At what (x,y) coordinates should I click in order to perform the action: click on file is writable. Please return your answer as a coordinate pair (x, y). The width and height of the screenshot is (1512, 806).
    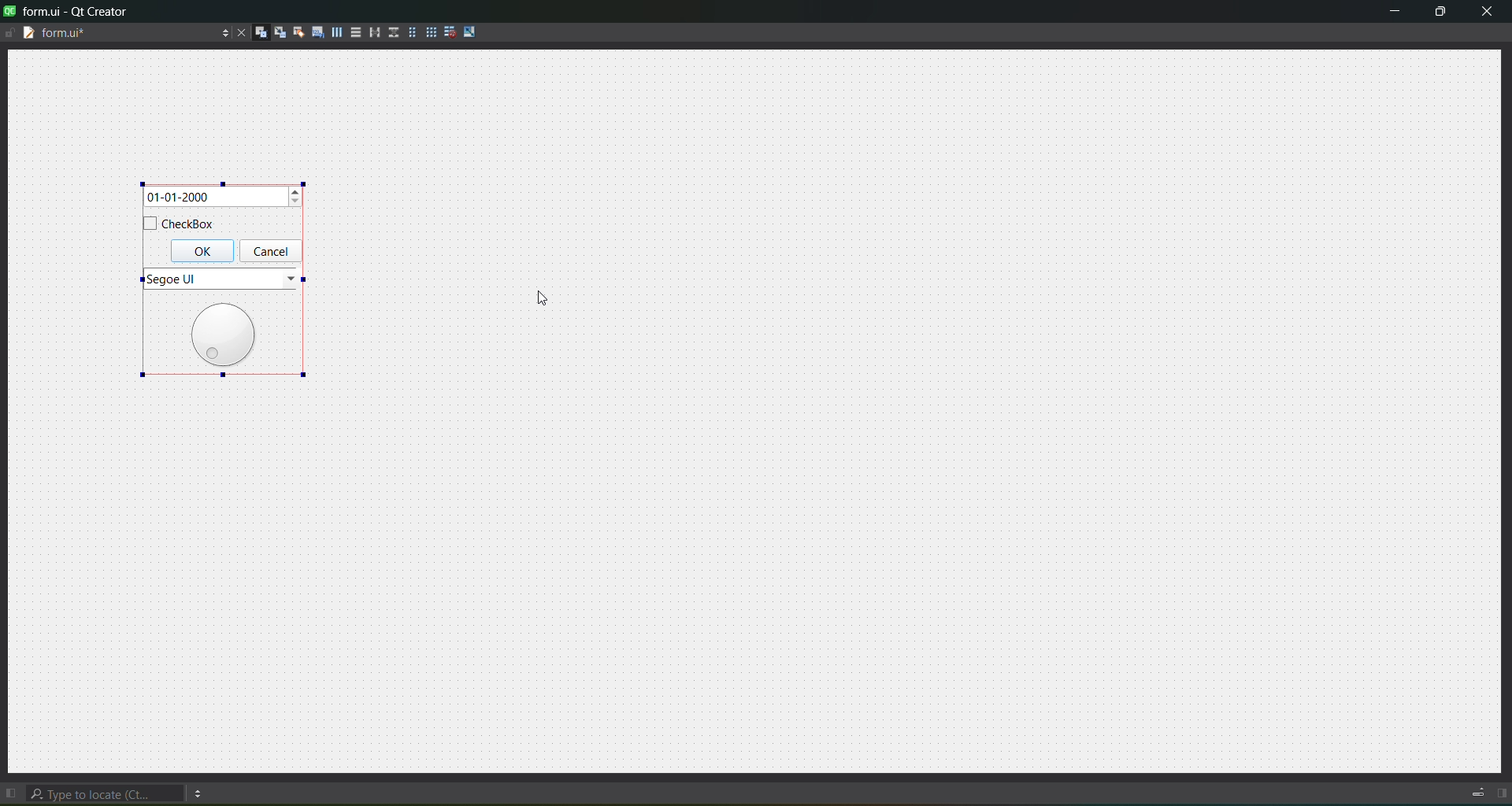
    Looking at the image, I should click on (9, 31).